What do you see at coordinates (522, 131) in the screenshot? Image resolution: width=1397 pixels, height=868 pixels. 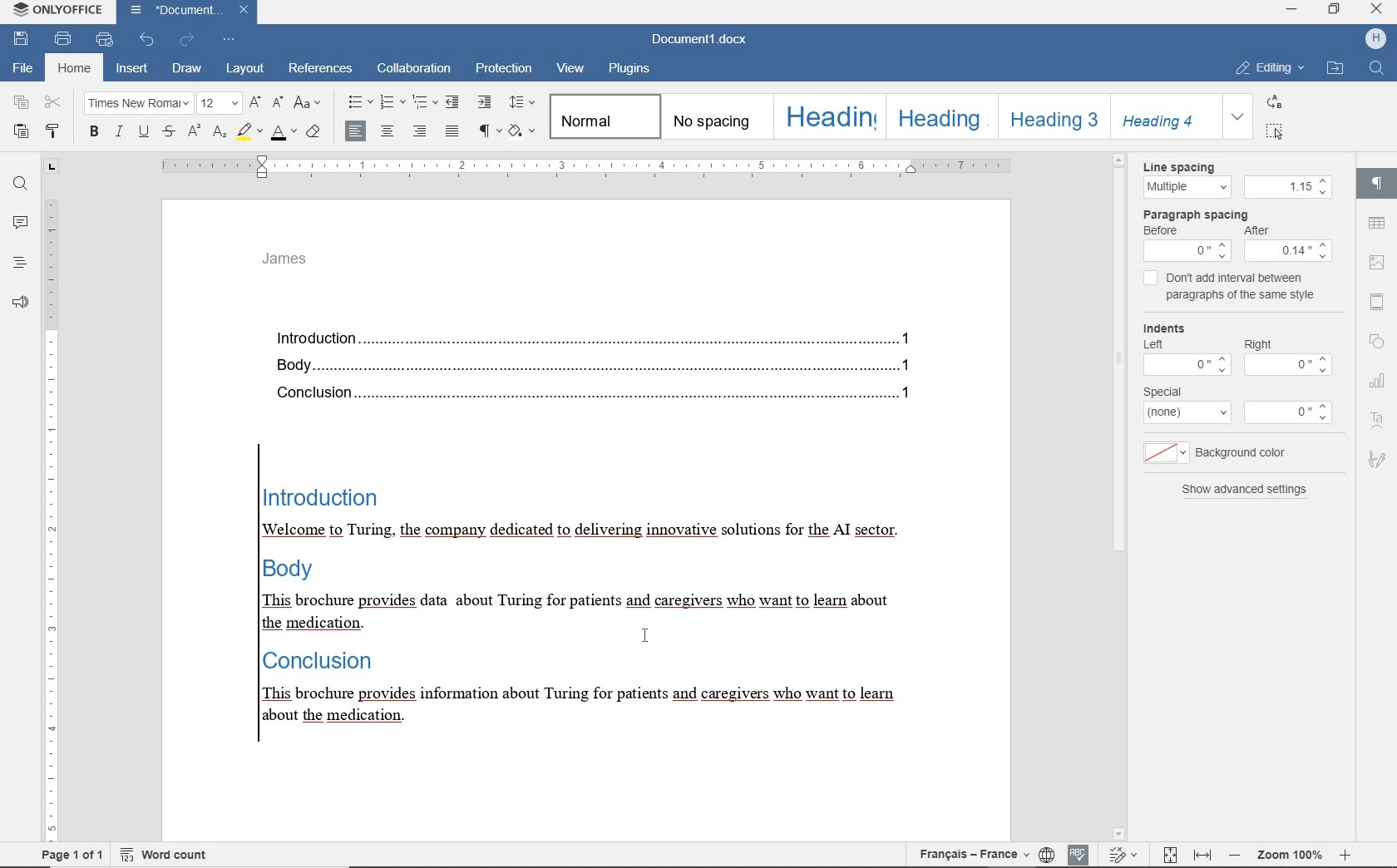 I see `shading` at bounding box center [522, 131].